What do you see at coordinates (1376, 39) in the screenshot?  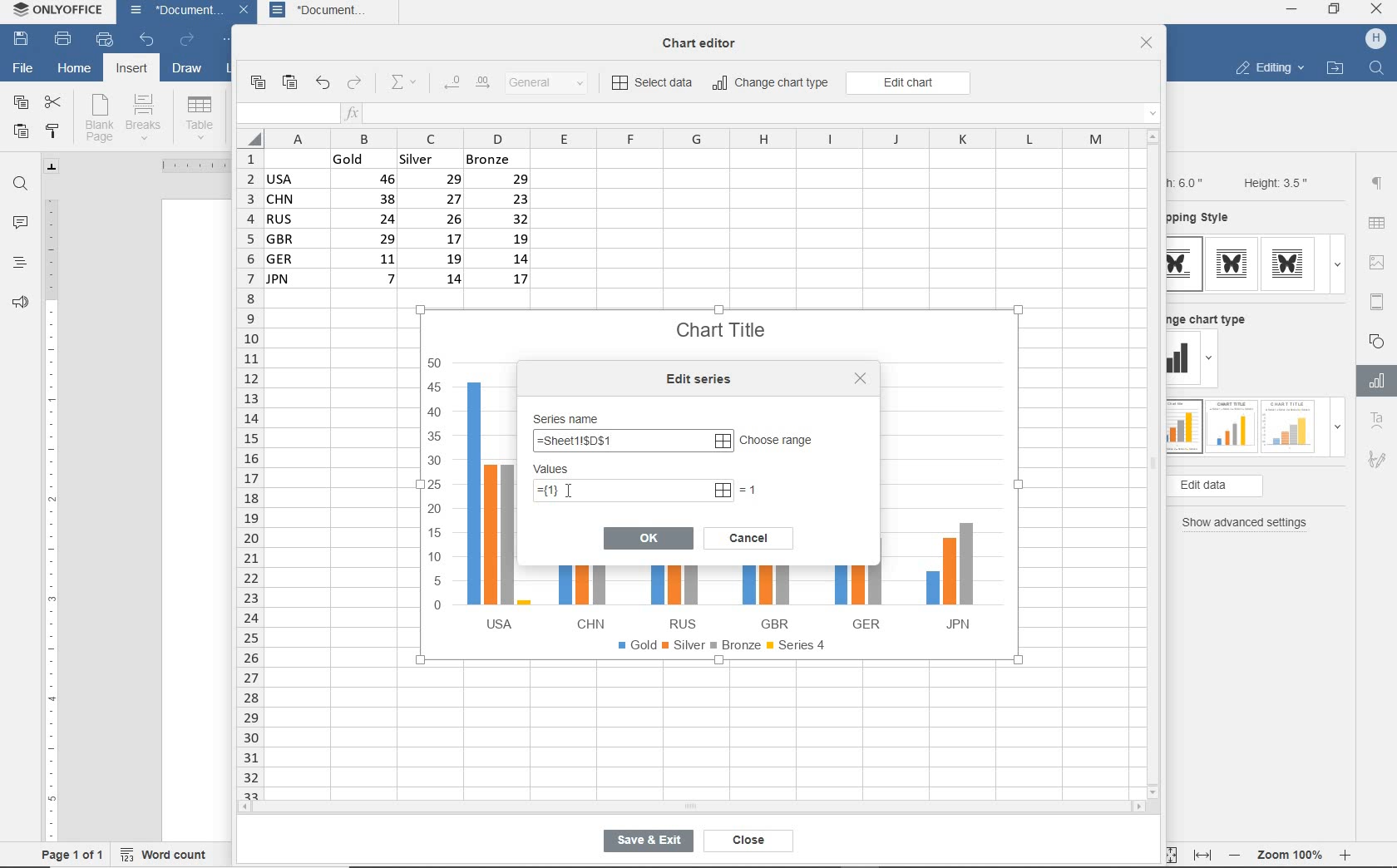 I see `hp` at bounding box center [1376, 39].